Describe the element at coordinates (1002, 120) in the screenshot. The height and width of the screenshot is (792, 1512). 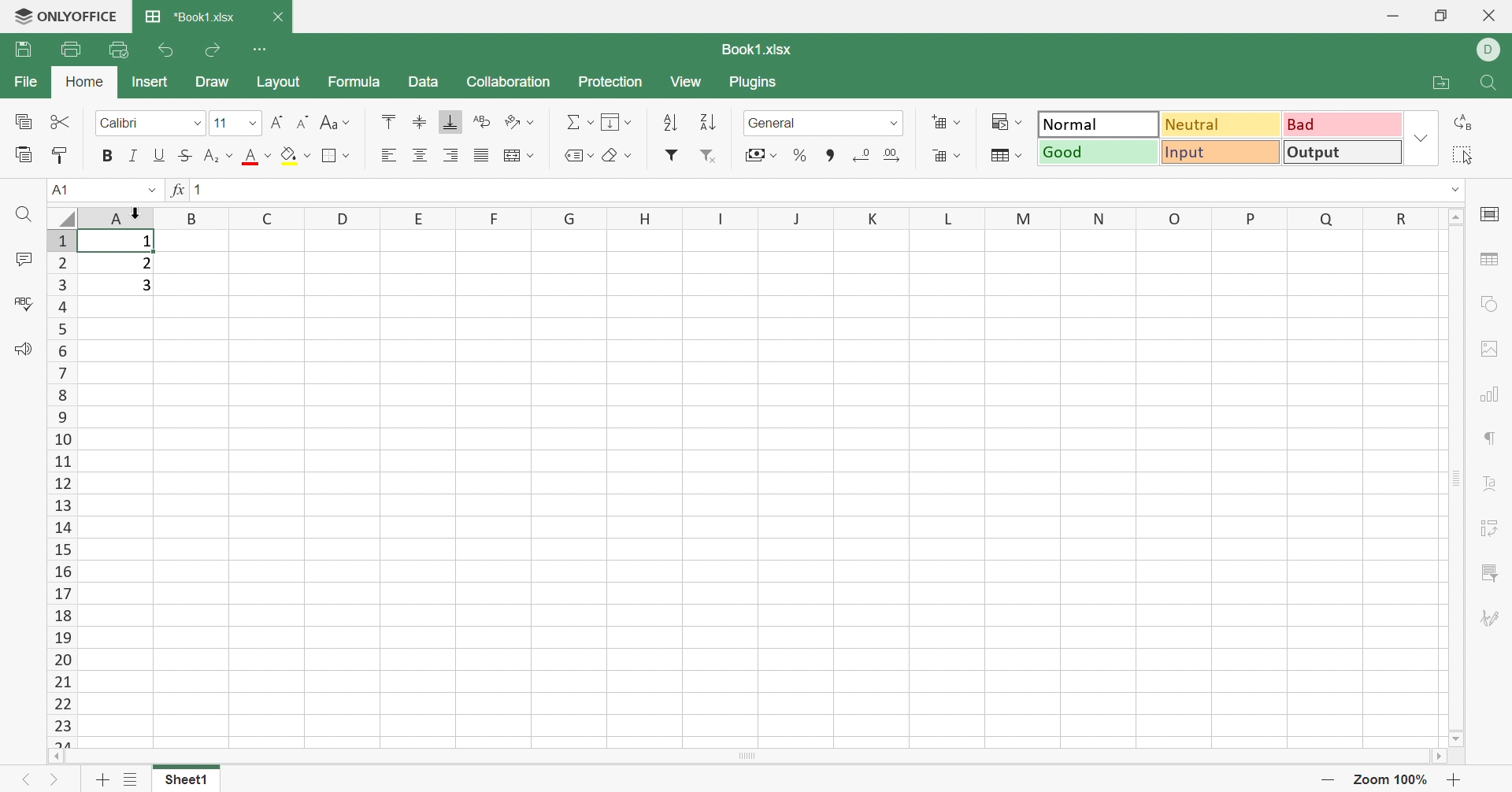
I see `Conditional formatting` at that location.